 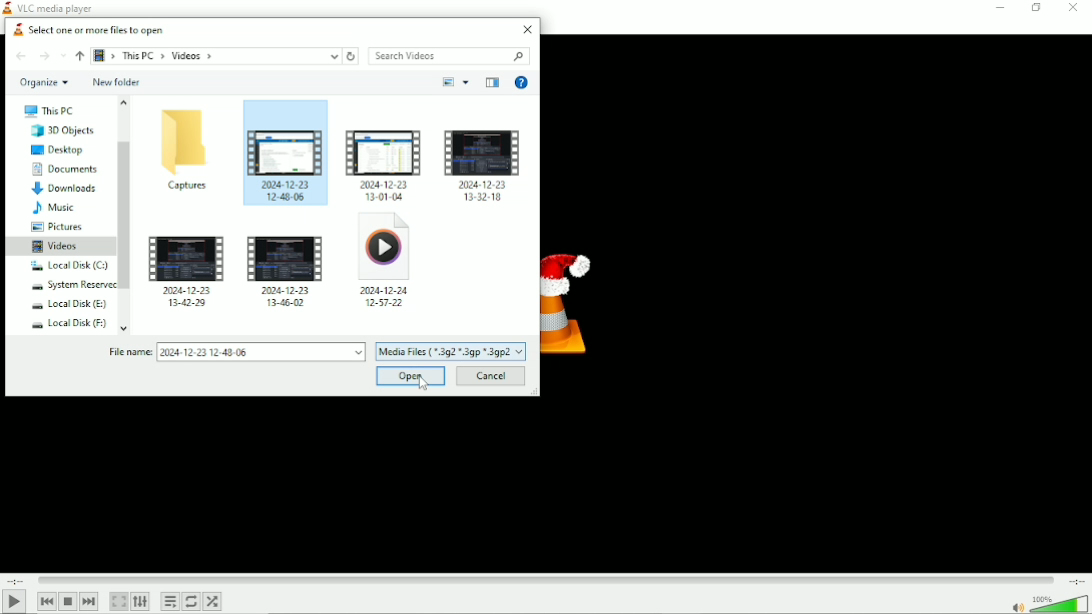 I want to click on video, so click(x=483, y=165).